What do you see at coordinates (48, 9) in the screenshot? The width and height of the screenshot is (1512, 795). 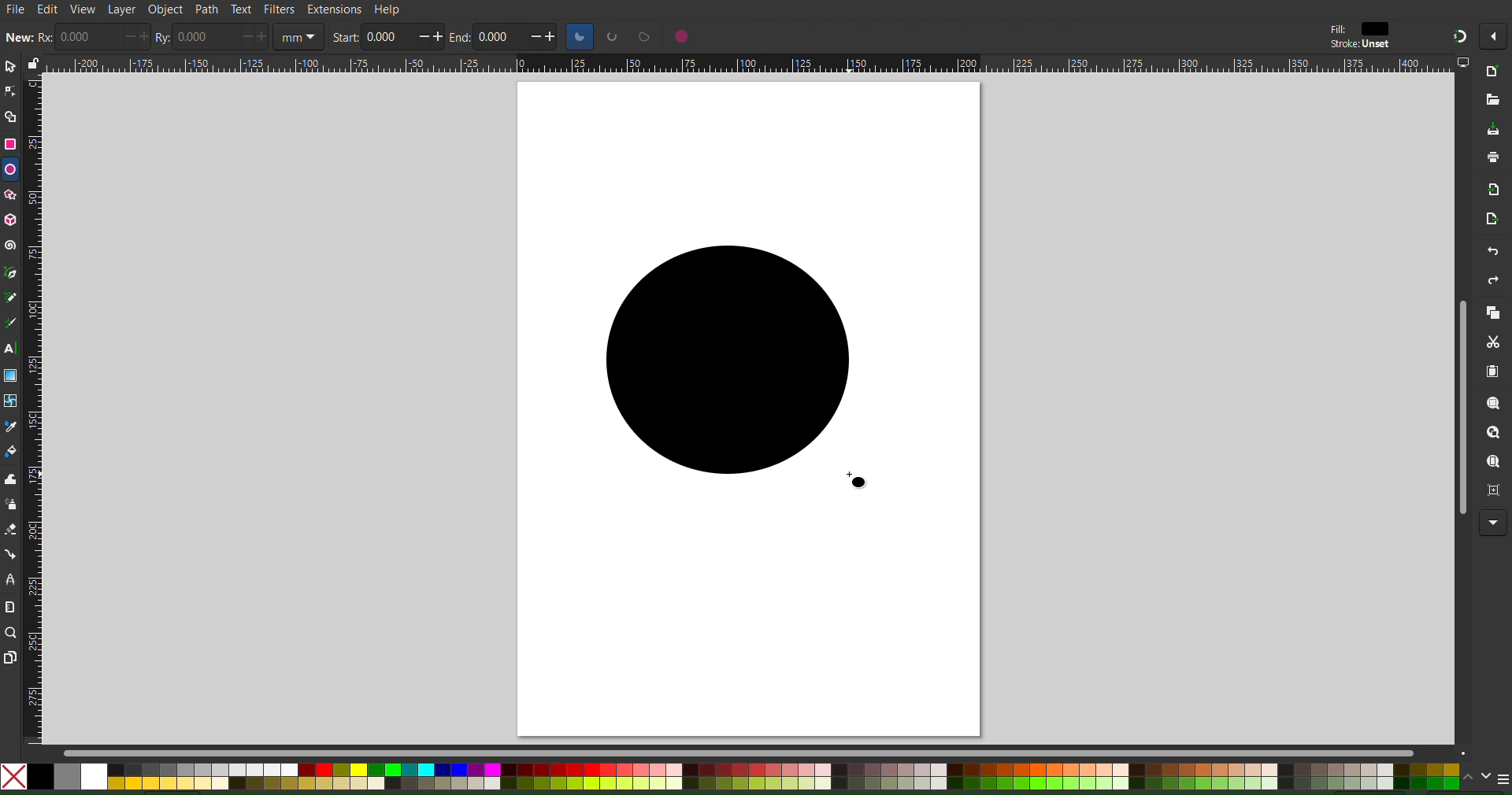 I see `Edit` at bounding box center [48, 9].